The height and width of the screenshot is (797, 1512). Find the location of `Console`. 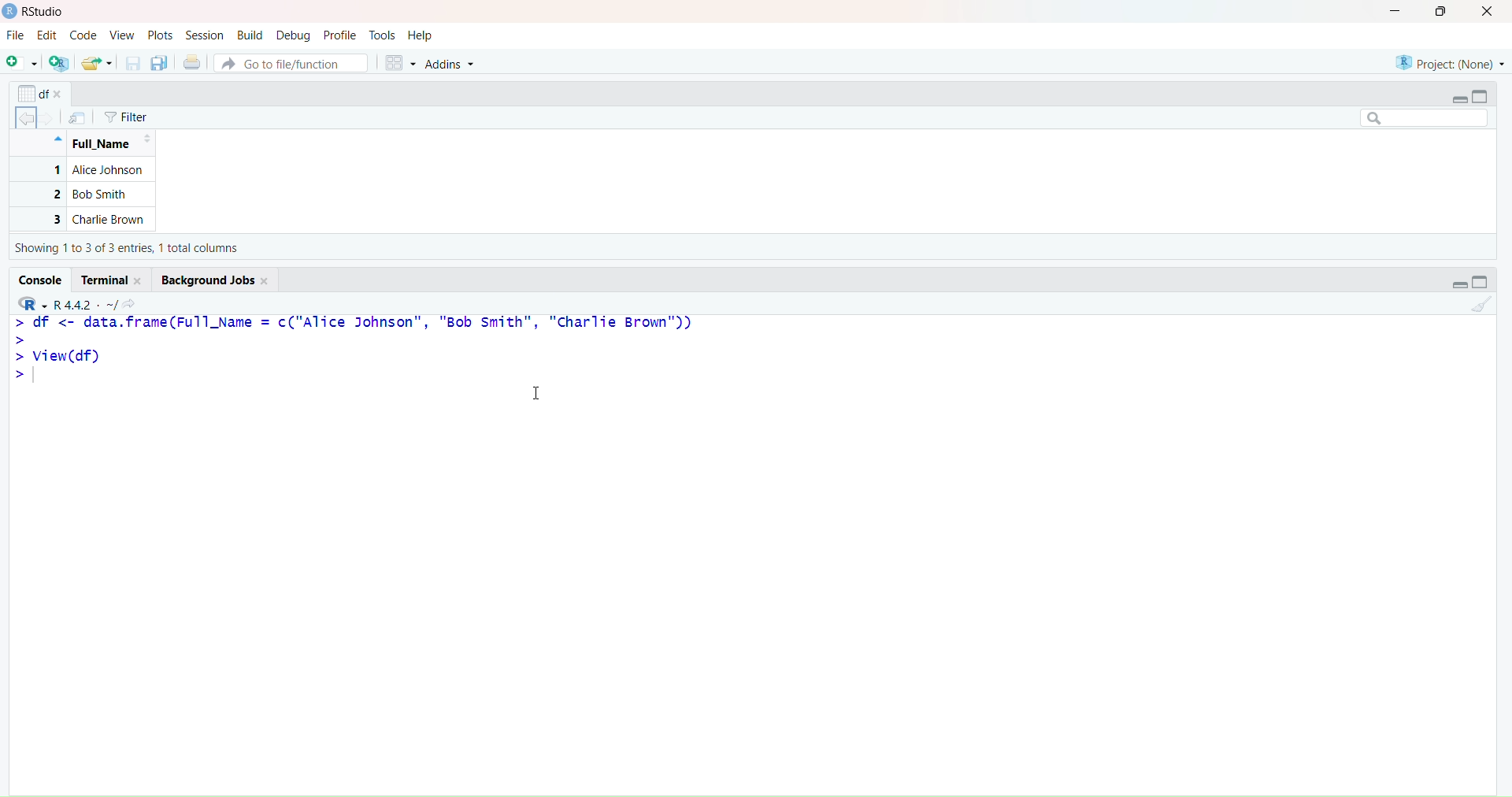

Console is located at coordinates (43, 279).